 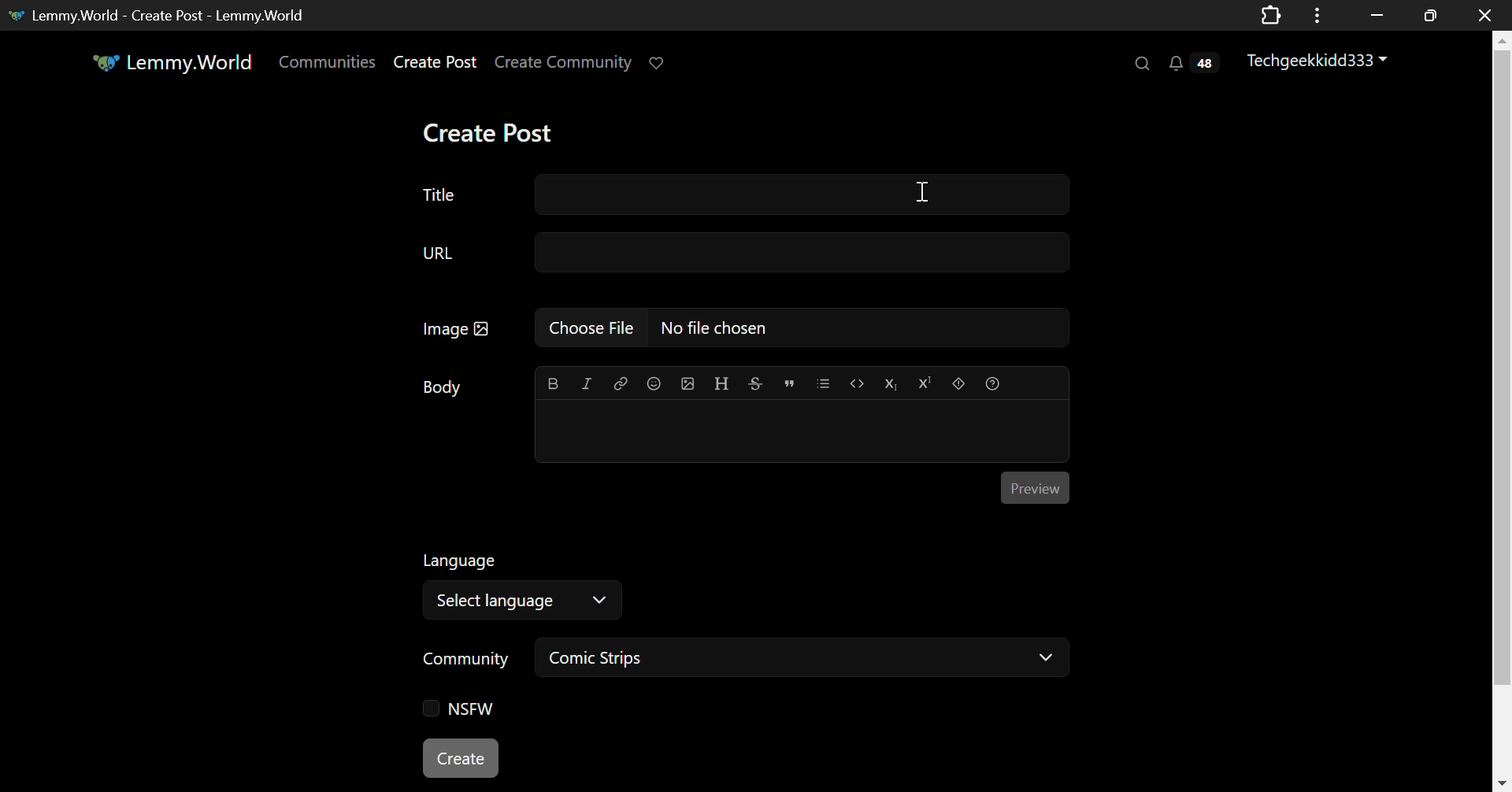 What do you see at coordinates (1480, 13) in the screenshot?
I see `Close Window` at bounding box center [1480, 13].